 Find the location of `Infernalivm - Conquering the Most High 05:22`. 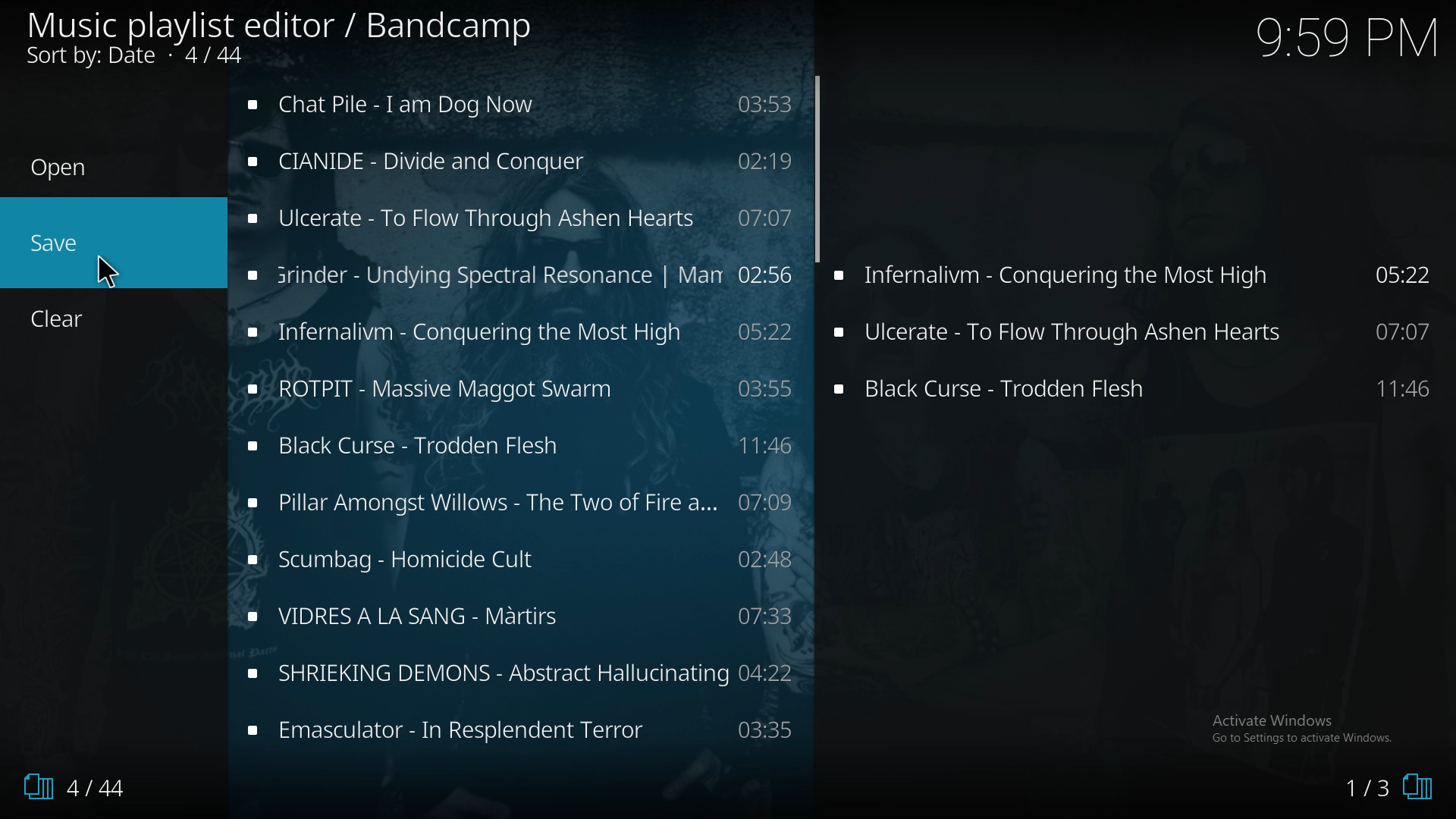

Infernalivm - Conquering the Most High 05:22 is located at coordinates (1141, 281).